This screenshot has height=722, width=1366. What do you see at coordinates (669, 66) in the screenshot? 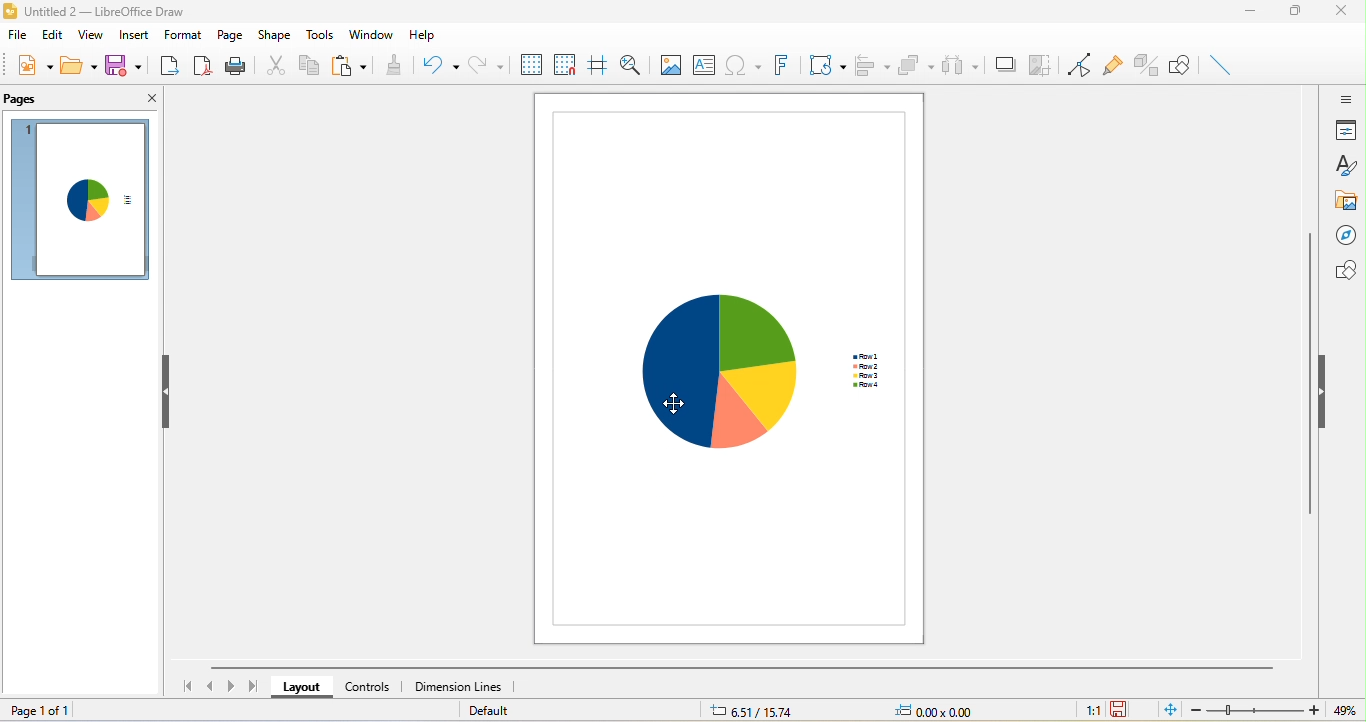
I see `image` at bounding box center [669, 66].